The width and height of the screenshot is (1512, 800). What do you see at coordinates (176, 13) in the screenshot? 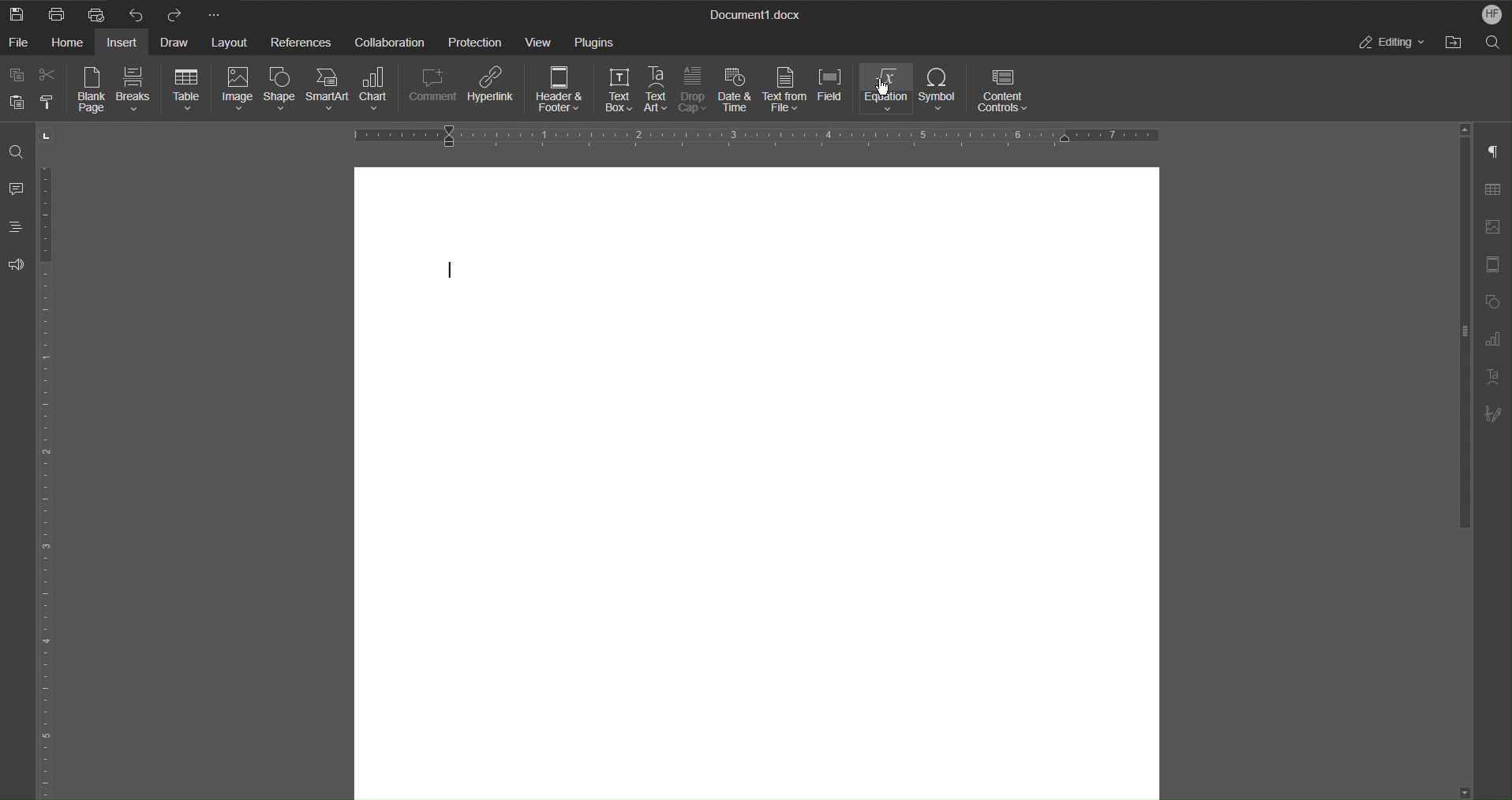
I see `Redo` at bounding box center [176, 13].